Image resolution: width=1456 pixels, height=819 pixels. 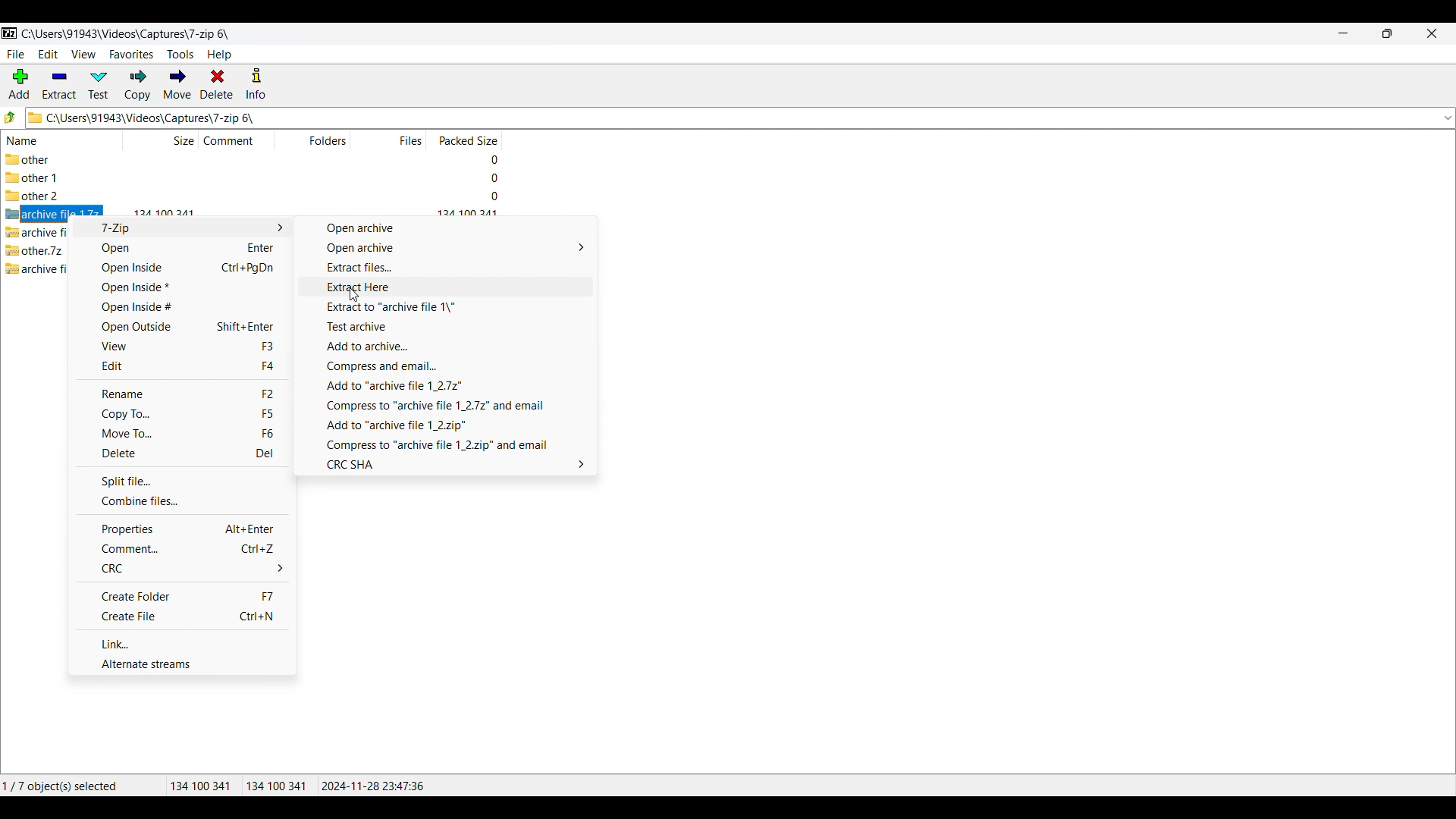 I want to click on Open inside, so click(x=180, y=268).